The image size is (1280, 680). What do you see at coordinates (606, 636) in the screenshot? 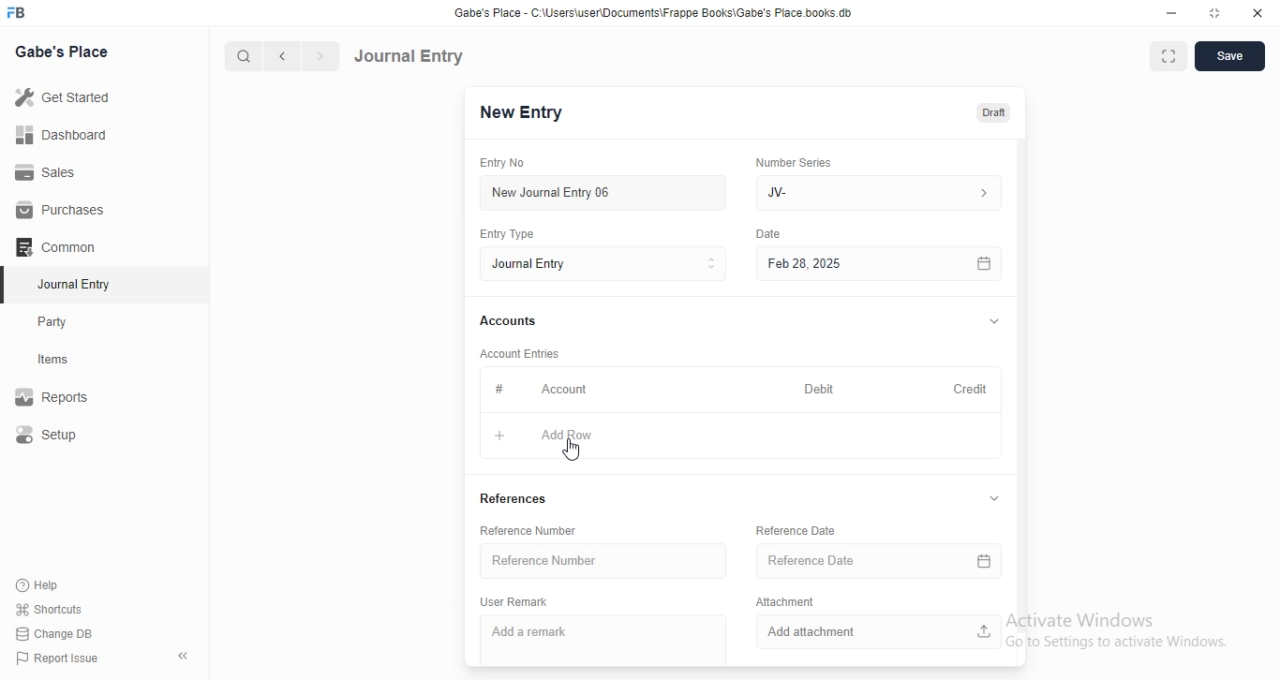
I see `Add a remark` at bounding box center [606, 636].